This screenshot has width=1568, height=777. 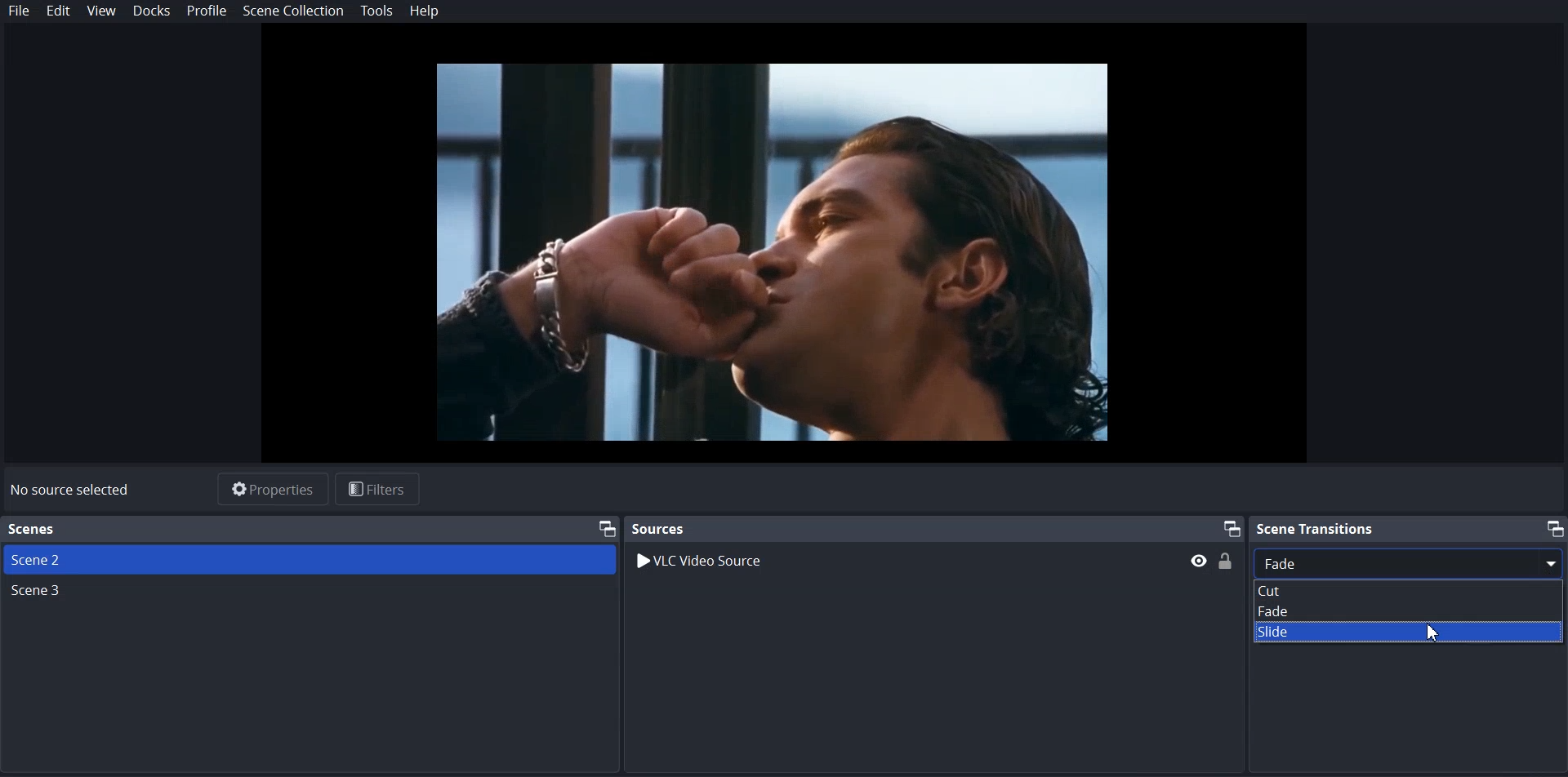 I want to click on Cursor, so click(x=1434, y=633).